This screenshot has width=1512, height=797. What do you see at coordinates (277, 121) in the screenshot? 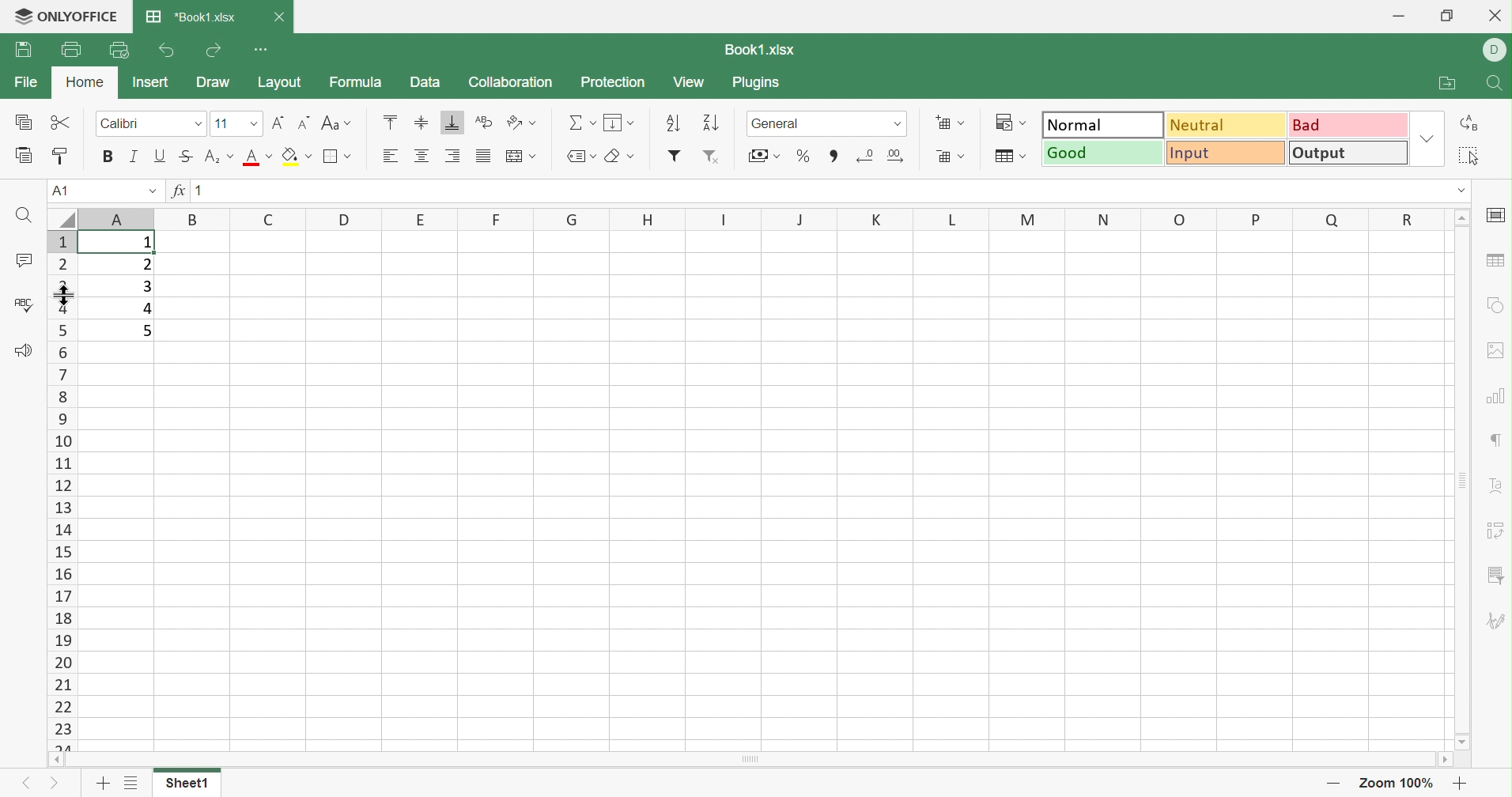
I see `Increment in font size` at bounding box center [277, 121].